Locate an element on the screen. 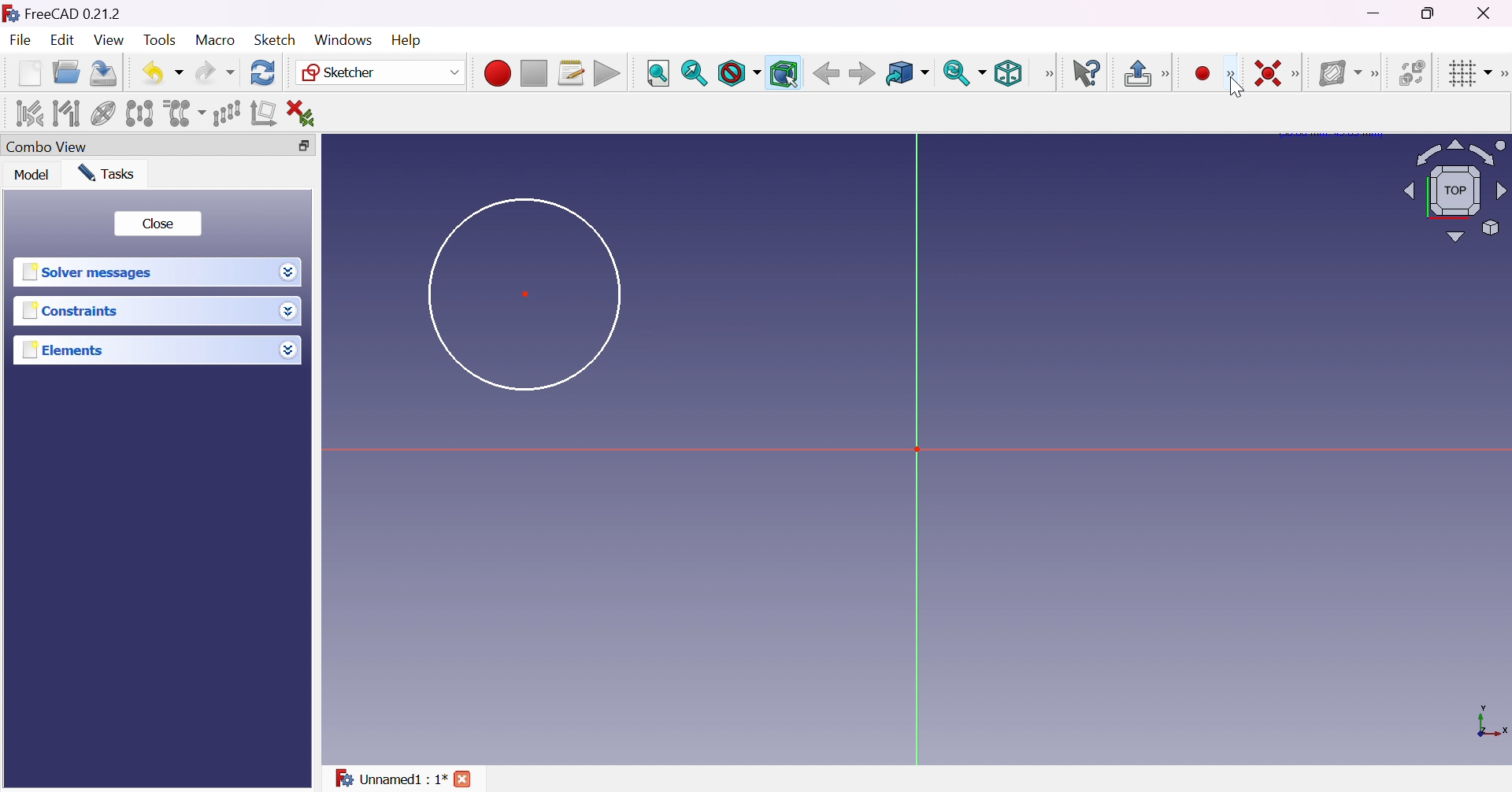 The height and width of the screenshot is (792, 1512). Unnamed : 1* is located at coordinates (390, 775).